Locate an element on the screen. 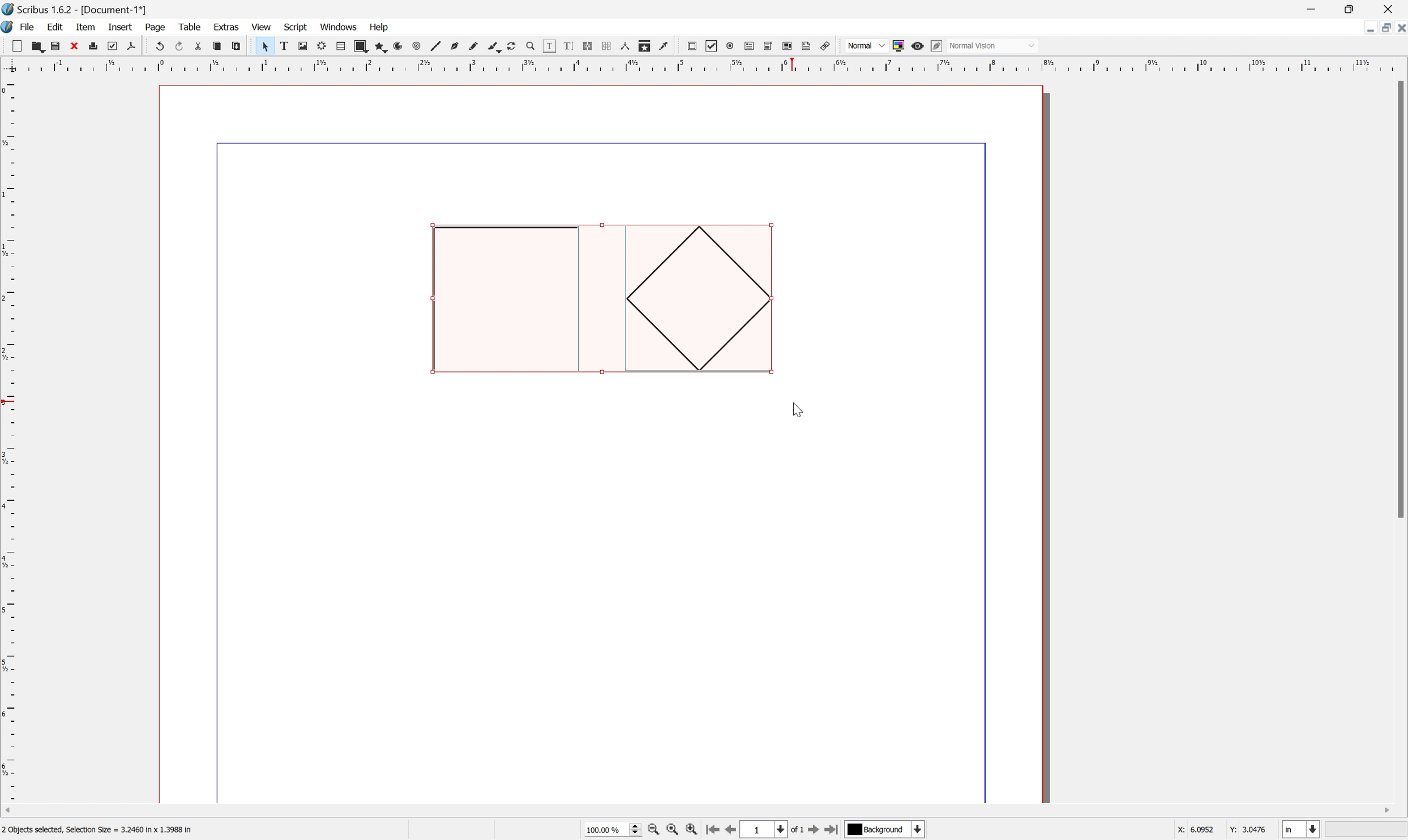 This screenshot has width=1408, height=840. Toggle color management system is located at coordinates (900, 46).